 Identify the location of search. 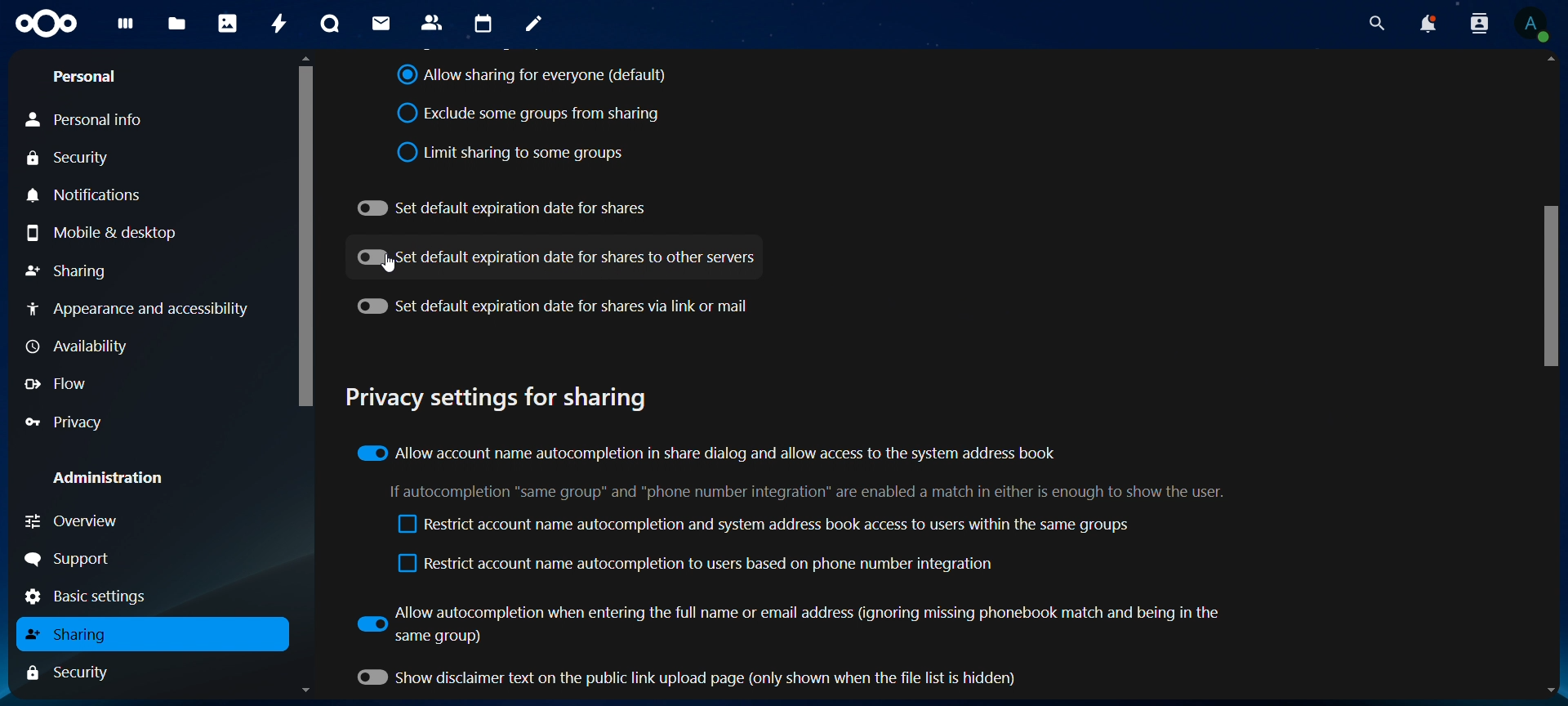
(1373, 24).